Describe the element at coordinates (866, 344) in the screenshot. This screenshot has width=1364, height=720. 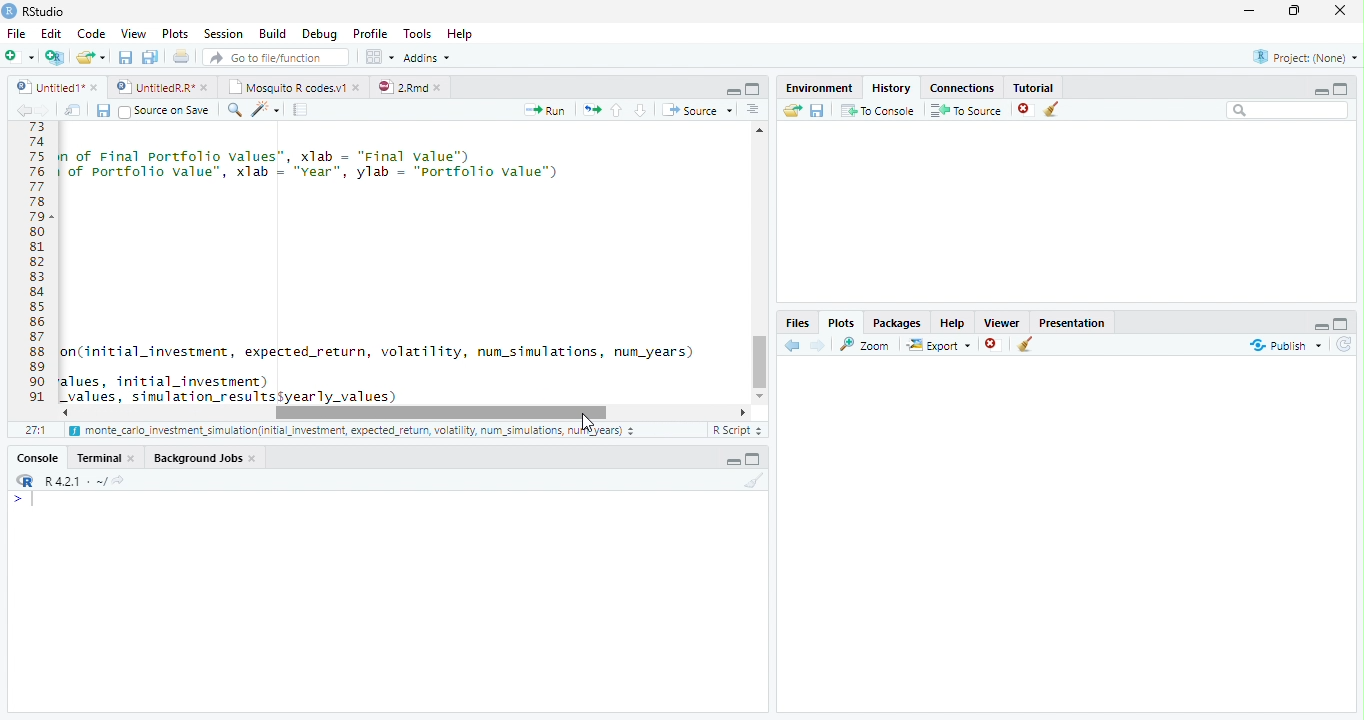
I see `Zoom` at that location.